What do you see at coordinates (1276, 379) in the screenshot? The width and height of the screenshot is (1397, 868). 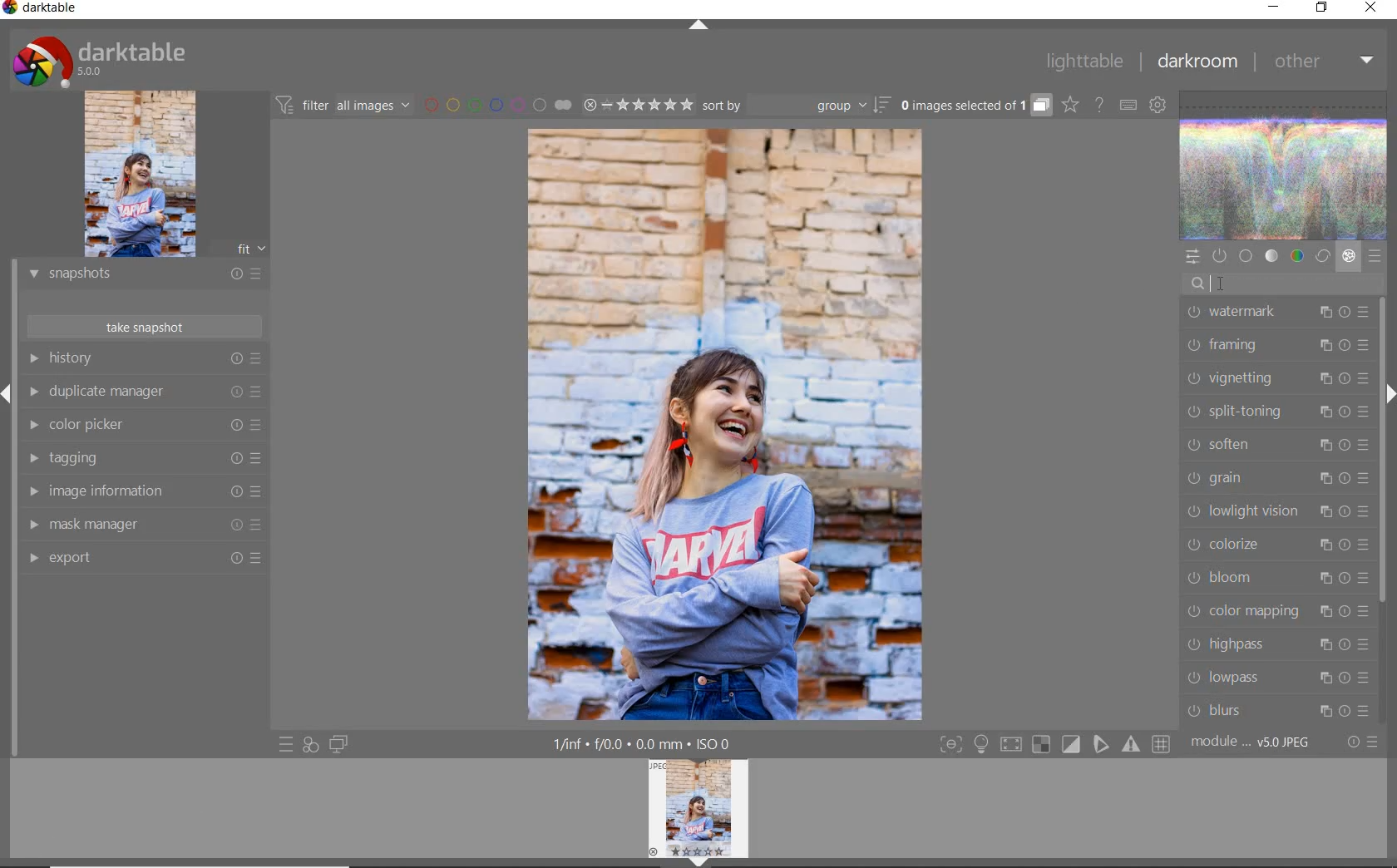 I see `vignetting` at bounding box center [1276, 379].